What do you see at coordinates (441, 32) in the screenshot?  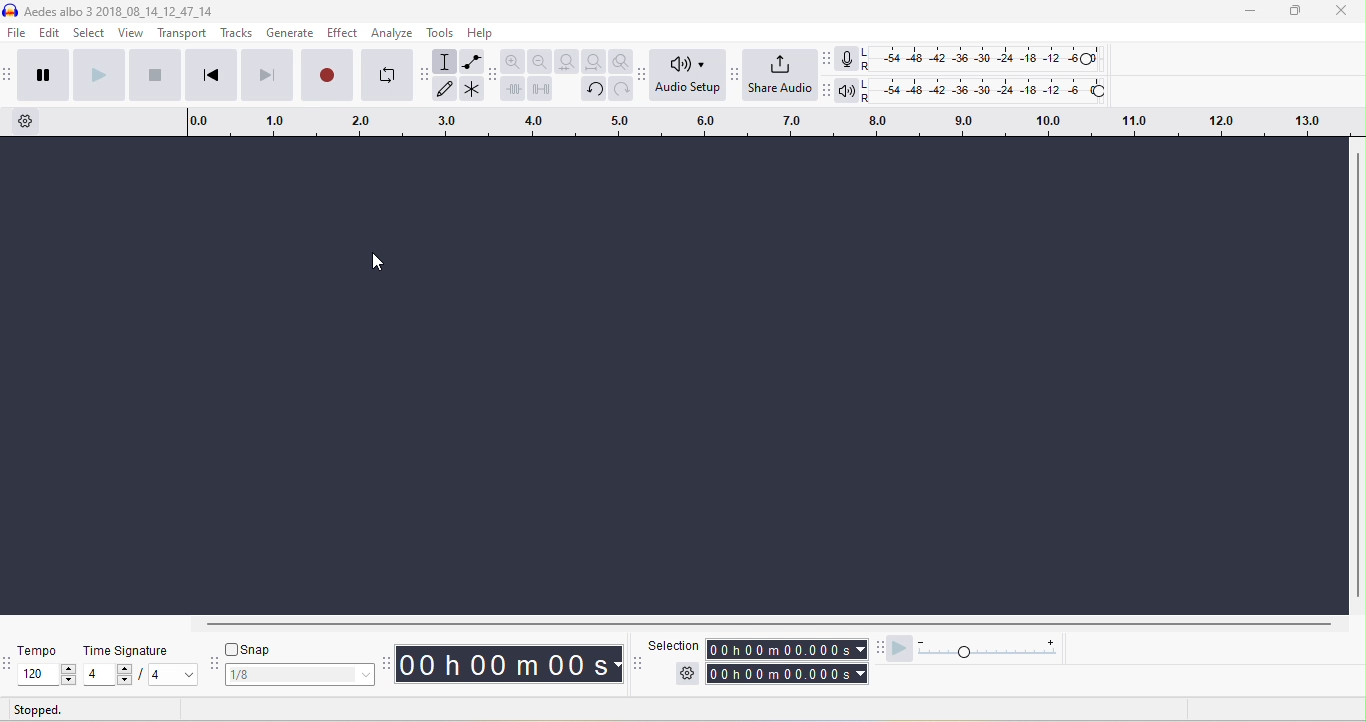 I see `tools` at bounding box center [441, 32].